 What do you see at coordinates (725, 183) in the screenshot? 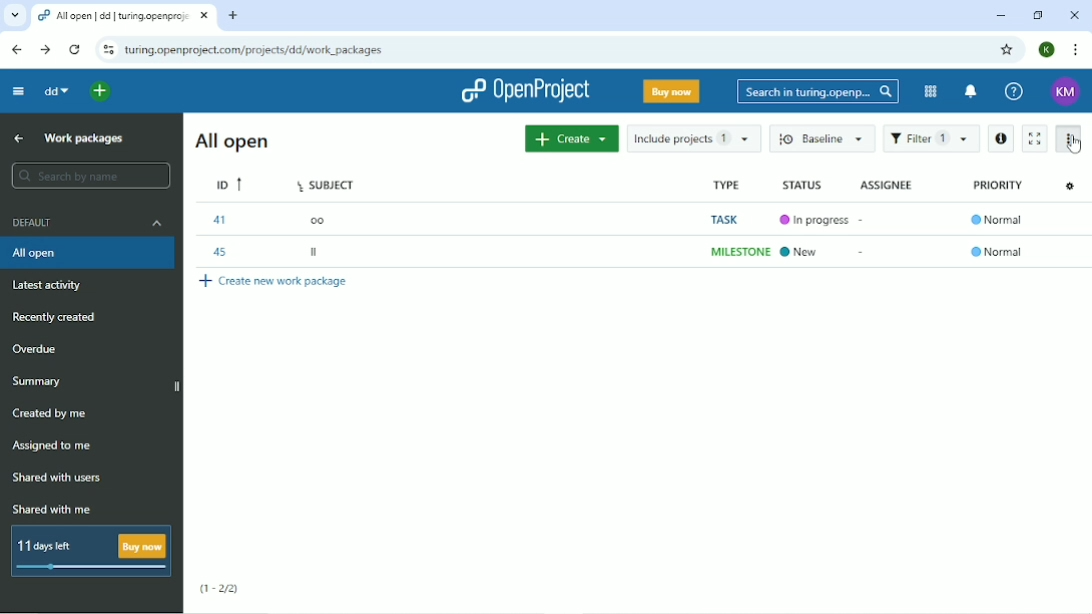
I see `Type` at bounding box center [725, 183].